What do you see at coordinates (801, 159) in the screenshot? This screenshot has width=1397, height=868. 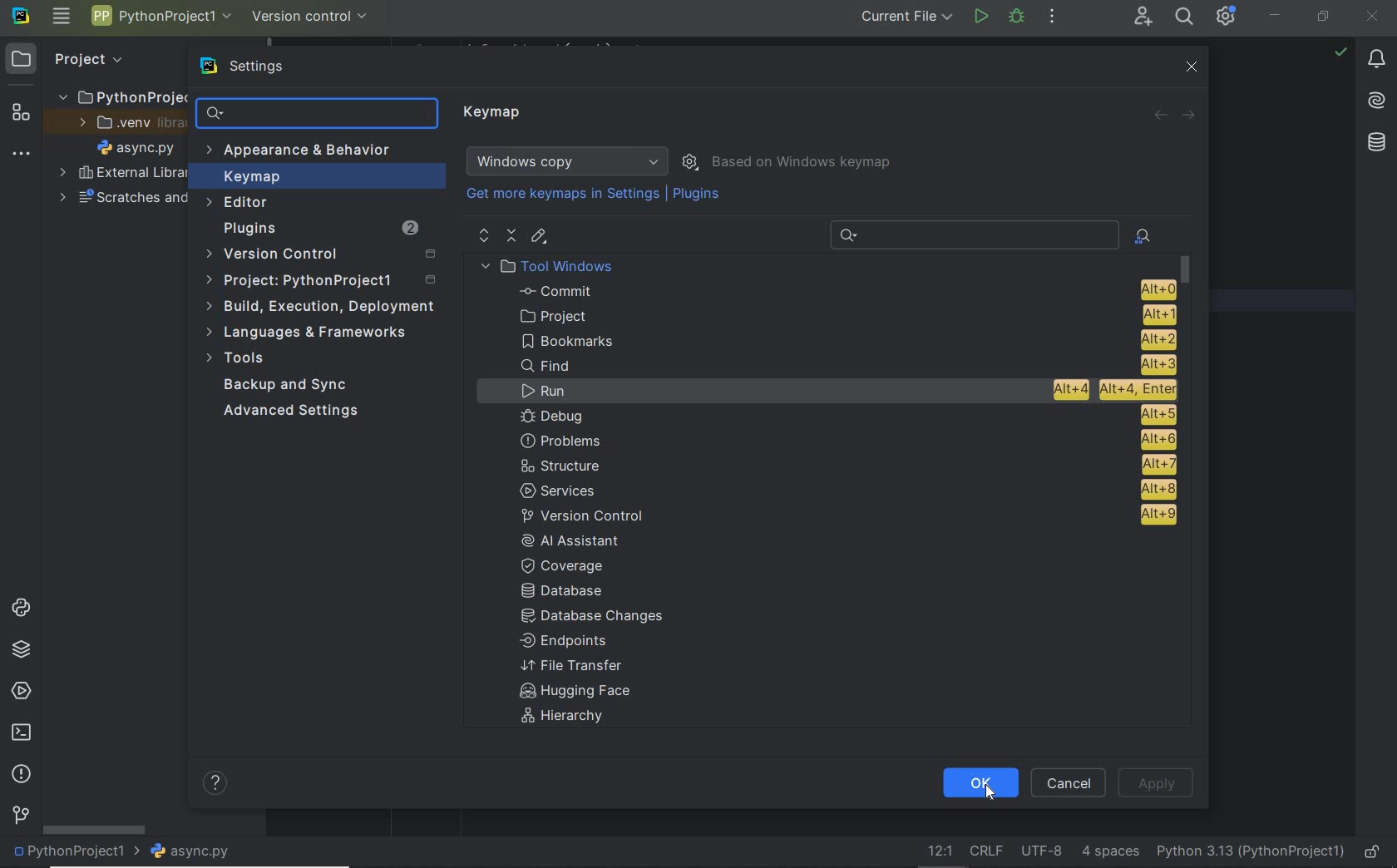 I see `Based on Windows keymap` at bounding box center [801, 159].